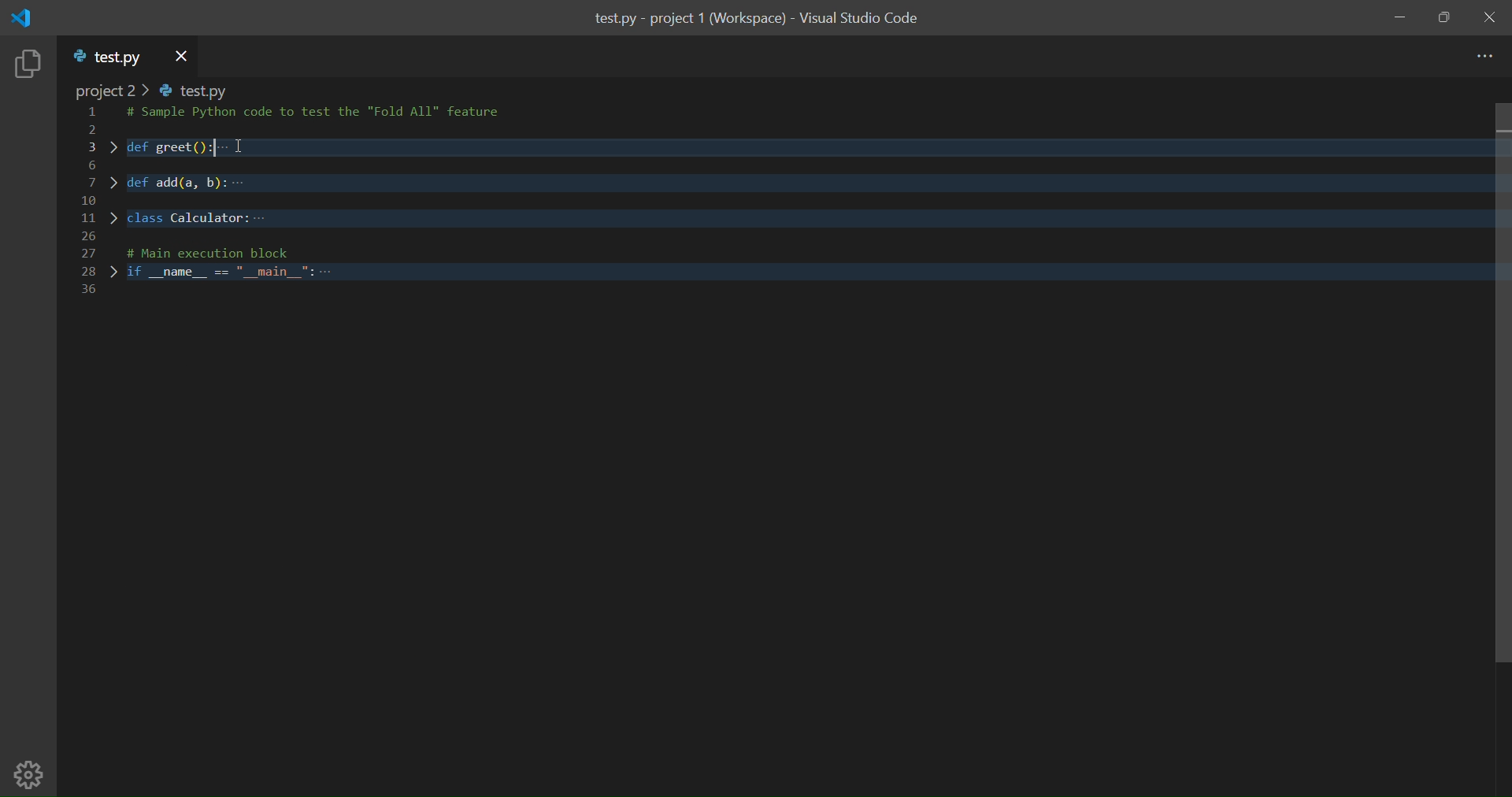 This screenshot has height=797, width=1512. What do you see at coordinates (789, 239) in the screenshot?
I see `code` at bounding box center [789, 239].